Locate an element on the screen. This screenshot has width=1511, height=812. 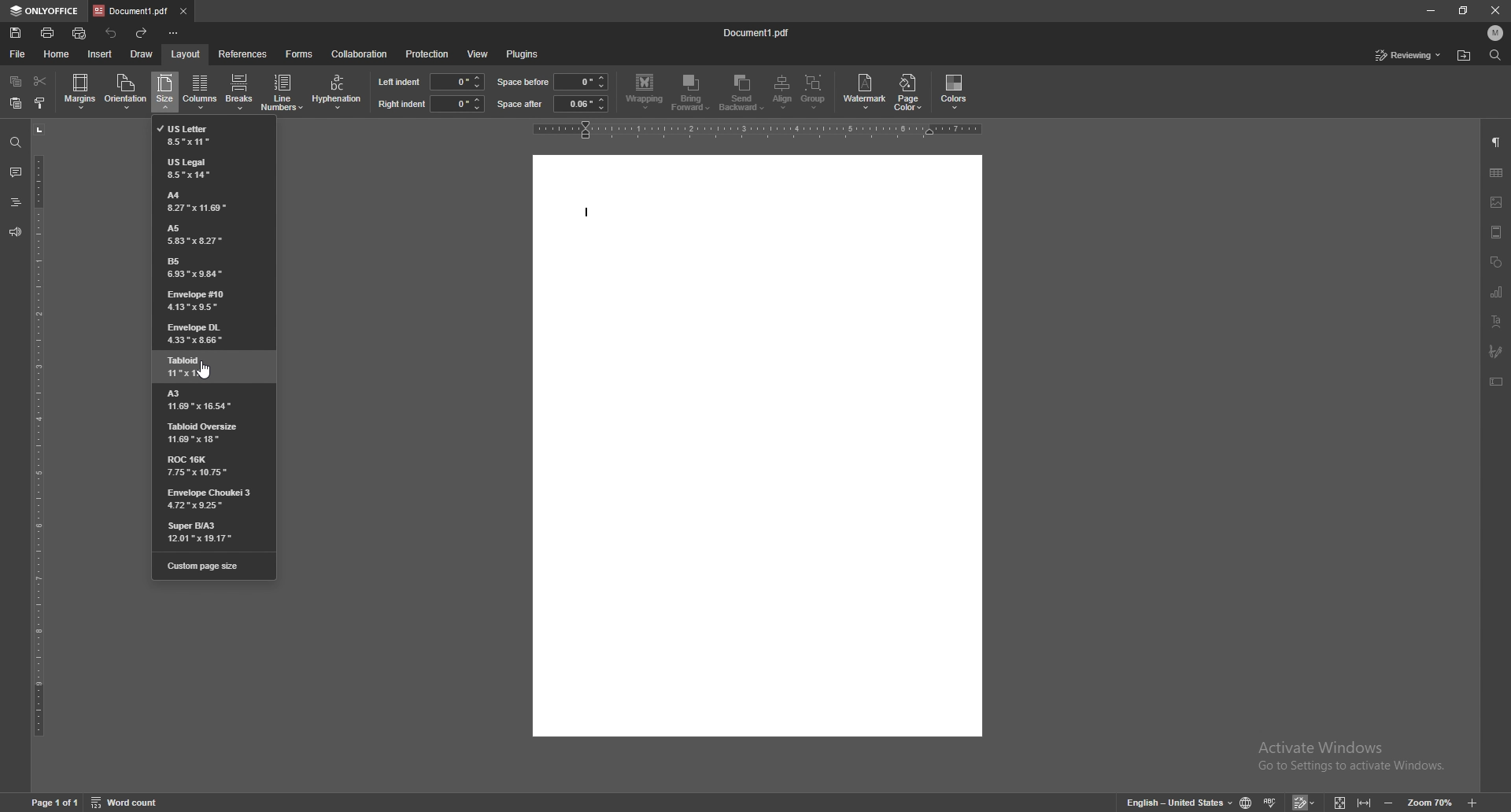
onlyoffice is located at coordinates (42, 11).